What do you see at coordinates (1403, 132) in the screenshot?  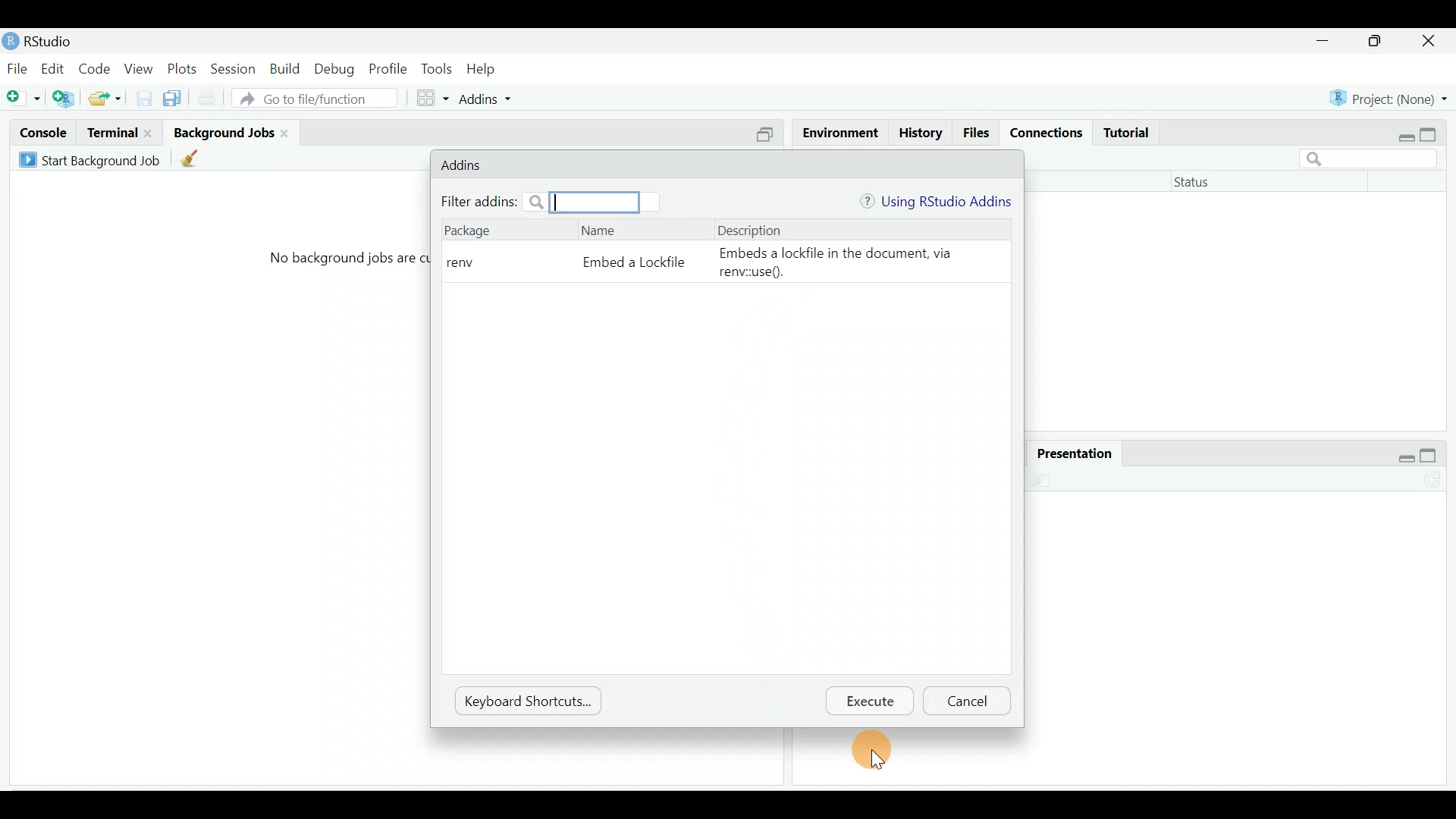 I see `restore down` at bounding box center [1403, 132].